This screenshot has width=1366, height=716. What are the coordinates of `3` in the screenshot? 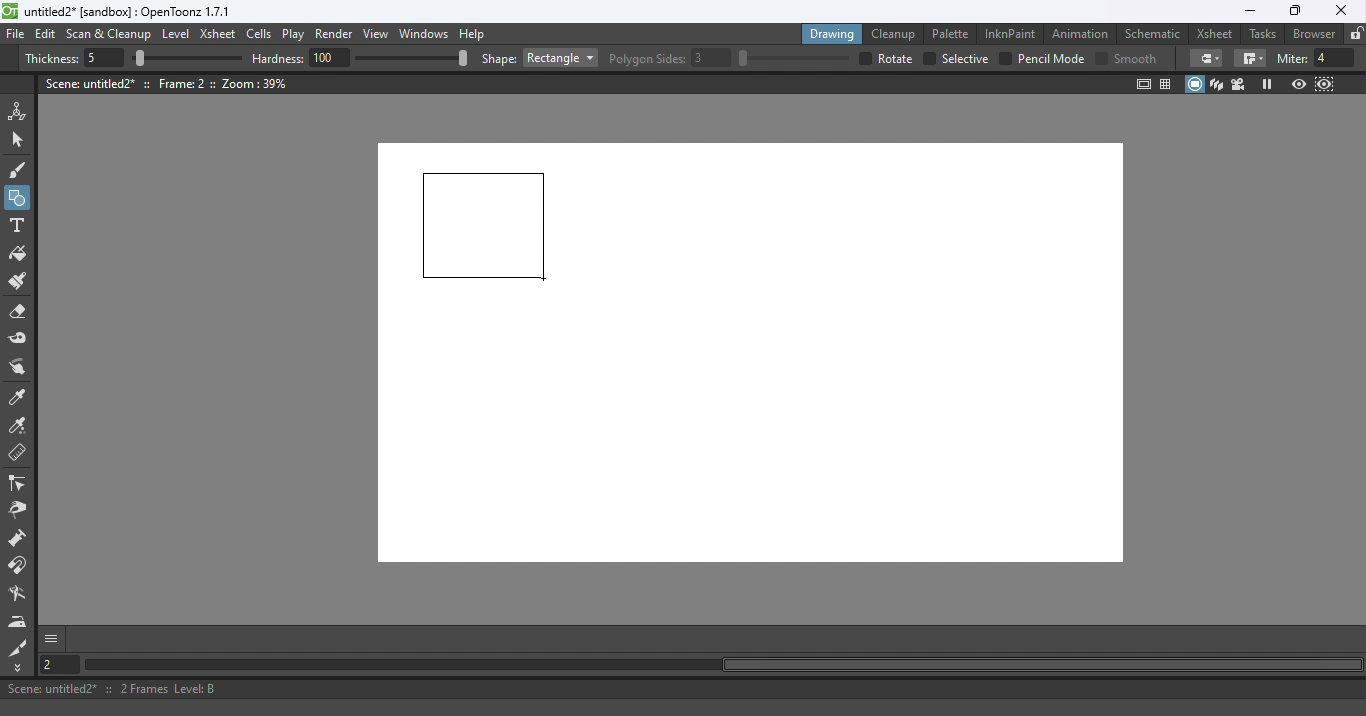 It's located at (712, 58).